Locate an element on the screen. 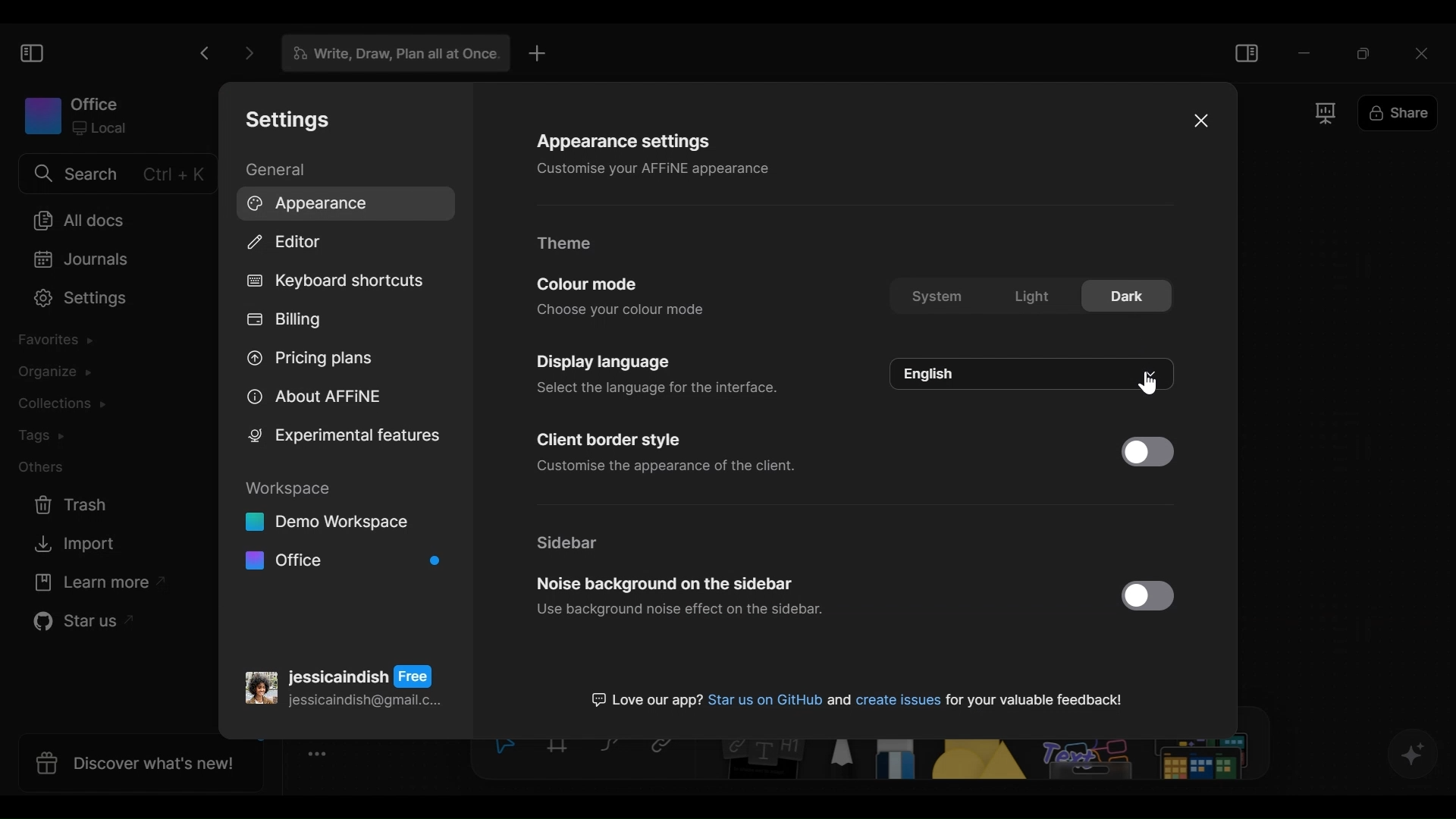 Image resolution: width=1456 pixels, height=819 pixels. New Tab is located at coordinates (538, 53).